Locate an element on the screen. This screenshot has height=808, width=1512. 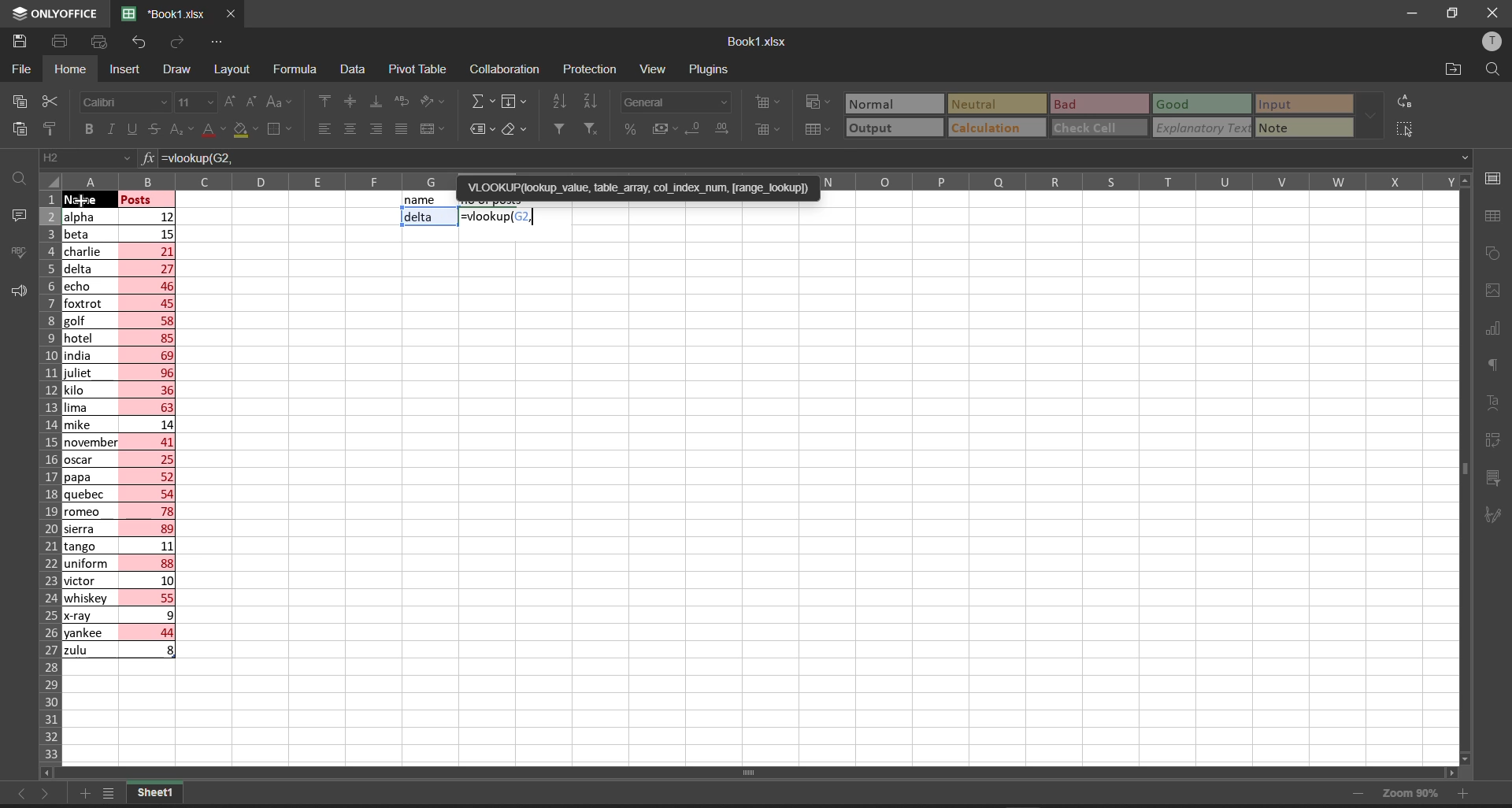
copy is located at coordinates (16, 101).